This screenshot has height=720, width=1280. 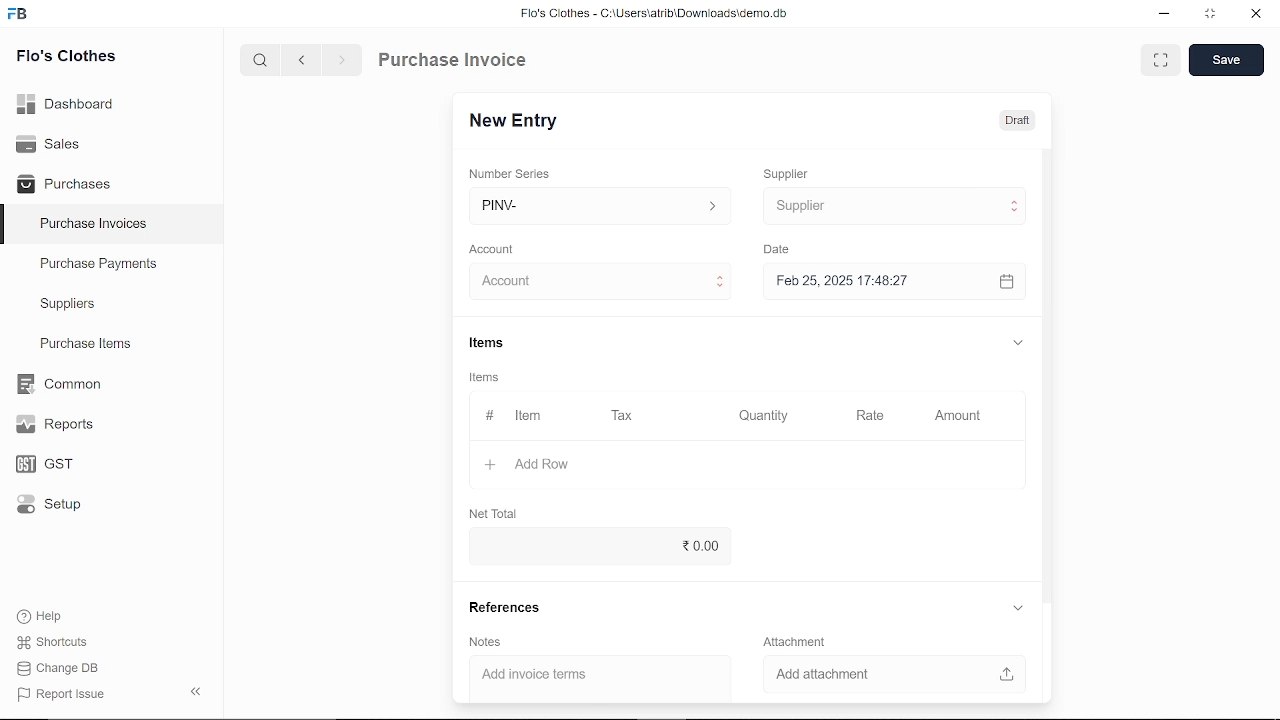 What do you see at coordinates (1226, 61) in the screenshot?
I see `save` at bounding box center [1226, 61].